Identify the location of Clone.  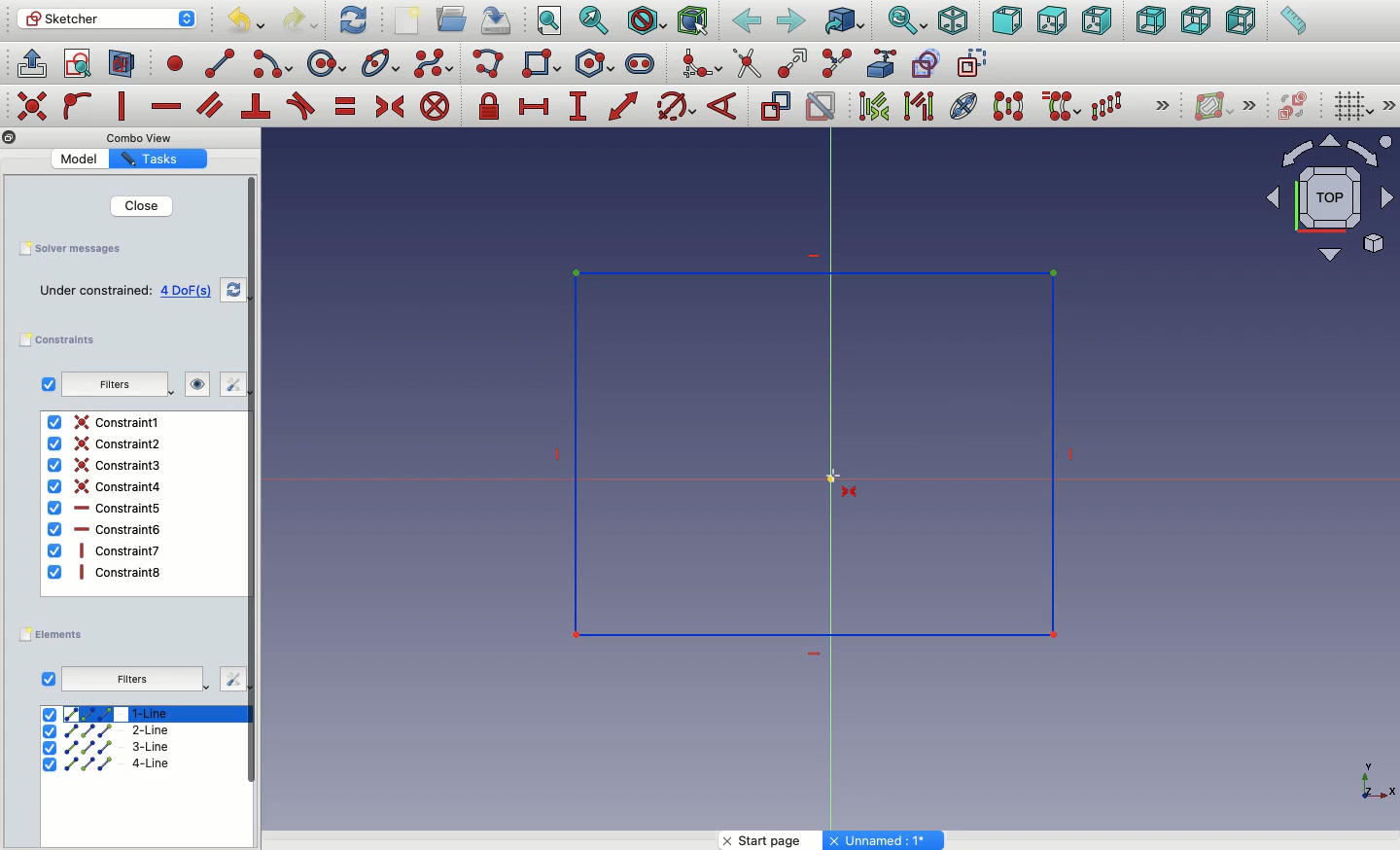
(1059, 107).